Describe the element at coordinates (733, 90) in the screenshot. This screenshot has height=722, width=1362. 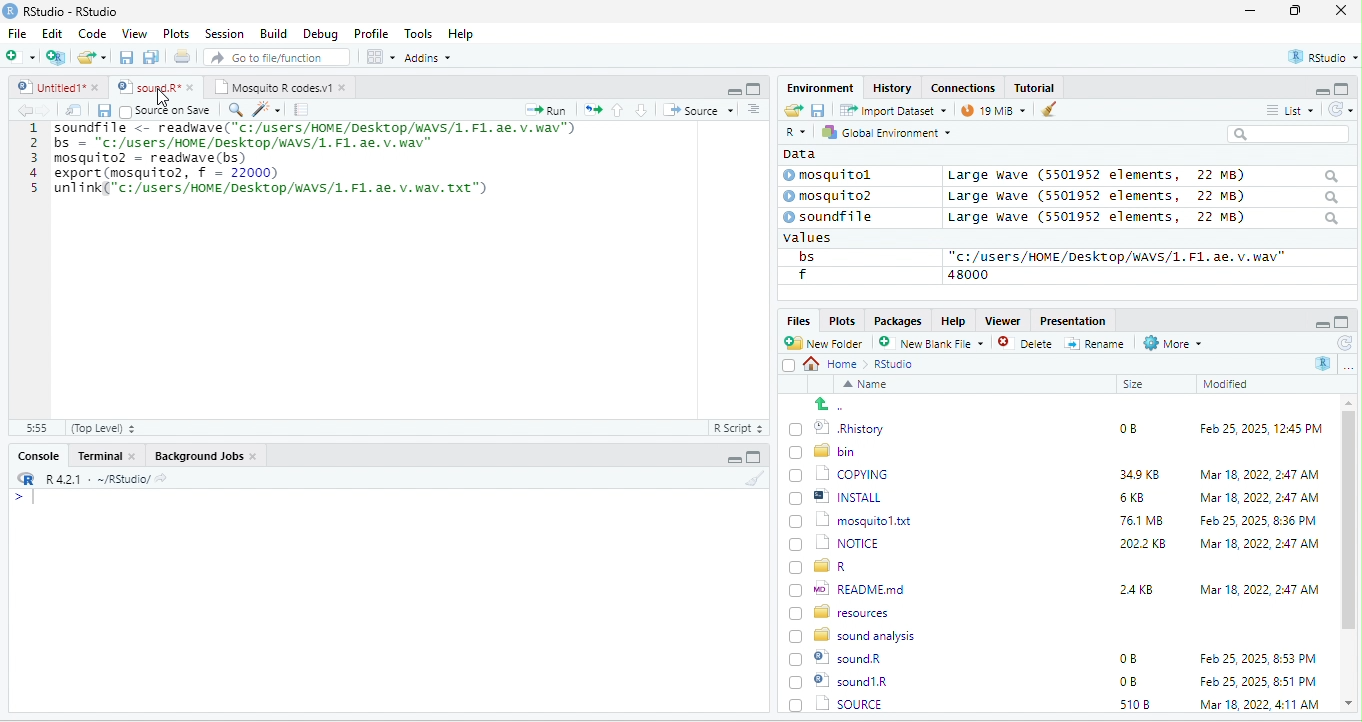
I see `minimize` at that location.